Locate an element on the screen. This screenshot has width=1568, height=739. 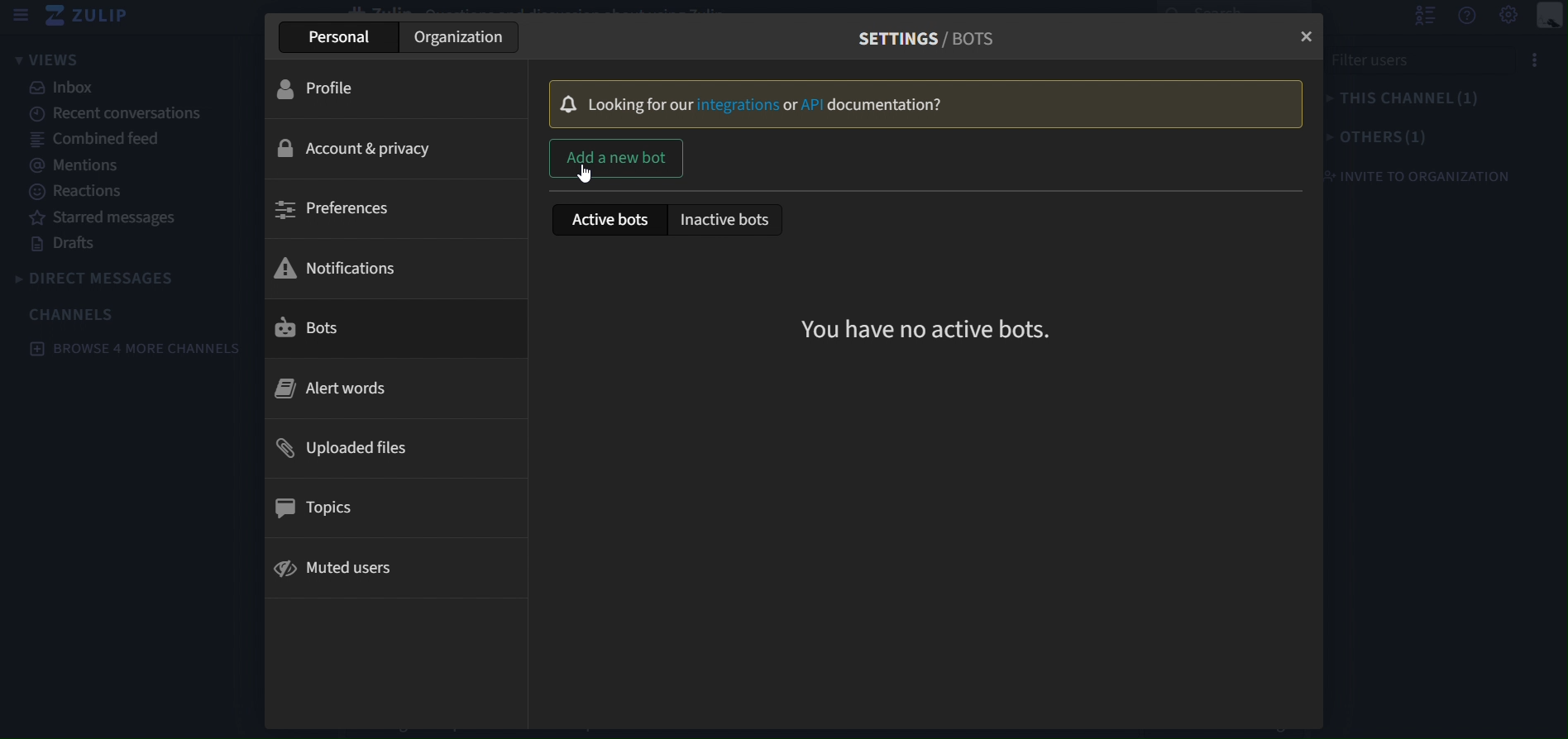
starred messages is located at coordinates (121, 216).